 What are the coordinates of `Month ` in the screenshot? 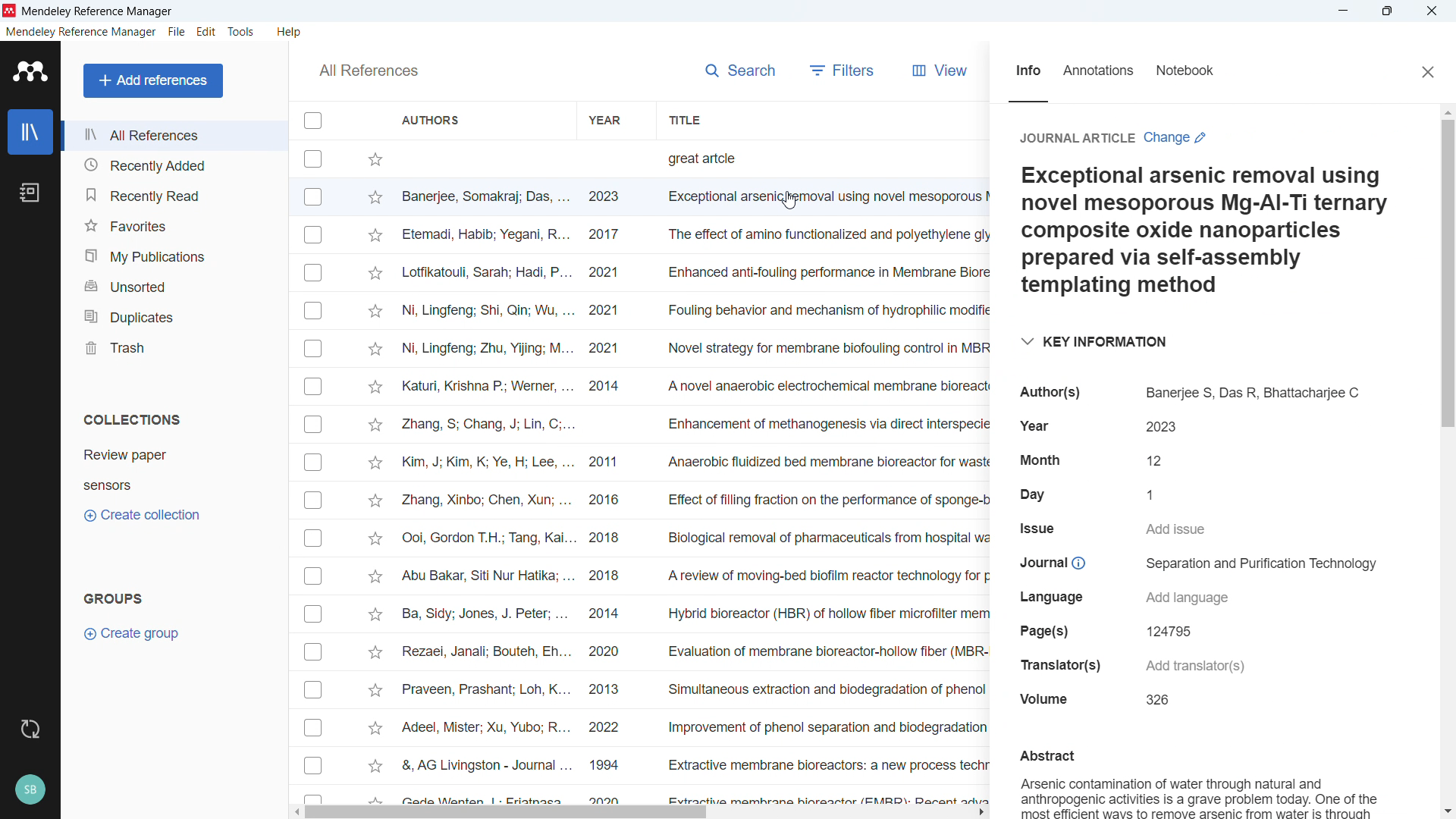 It's located at (1158, 460).